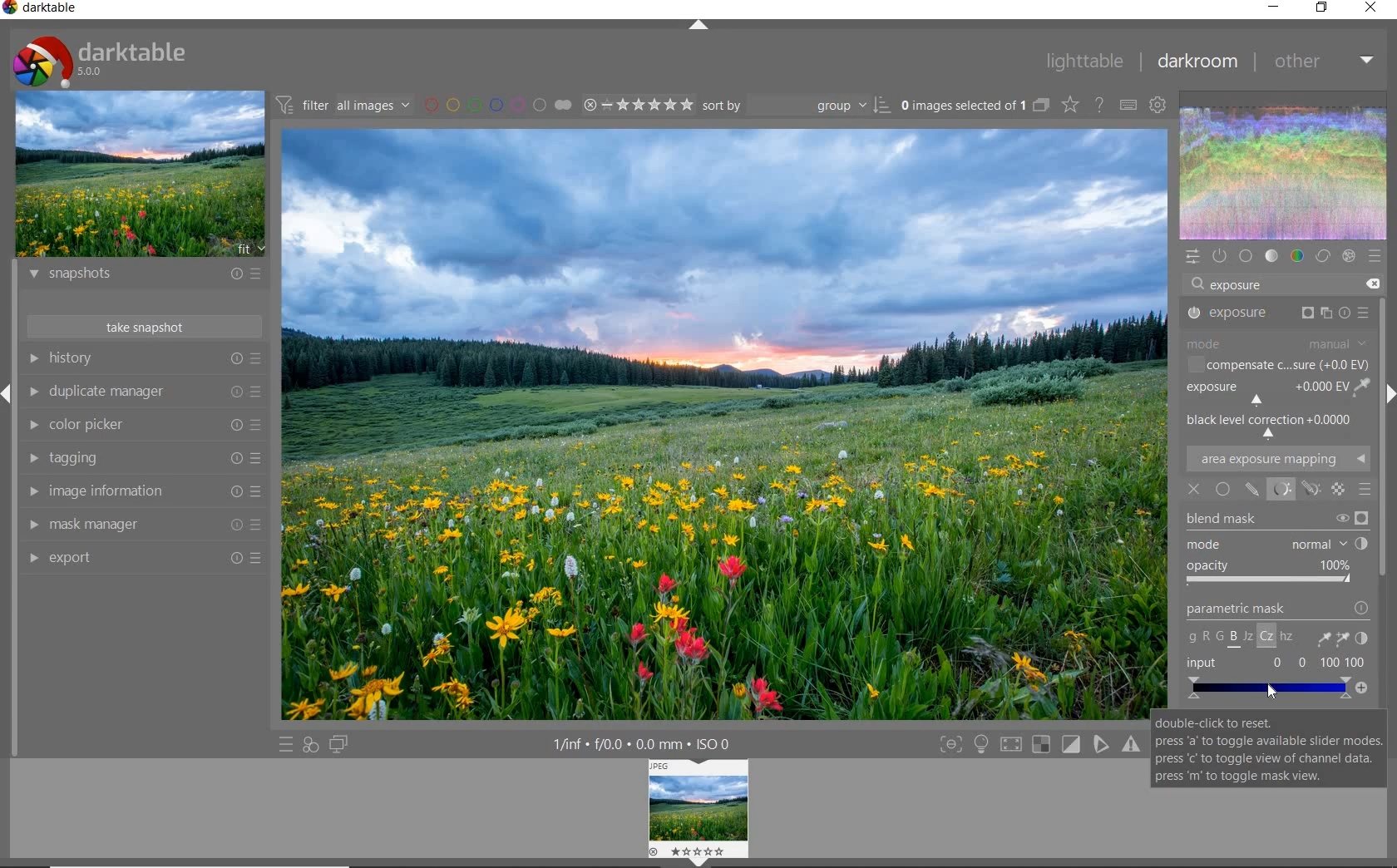 The width and height of the screenshot is (1397, 868). Describe the element at coordinates (1276, 545) in the screenshot. I see `mode: normal` at that location.